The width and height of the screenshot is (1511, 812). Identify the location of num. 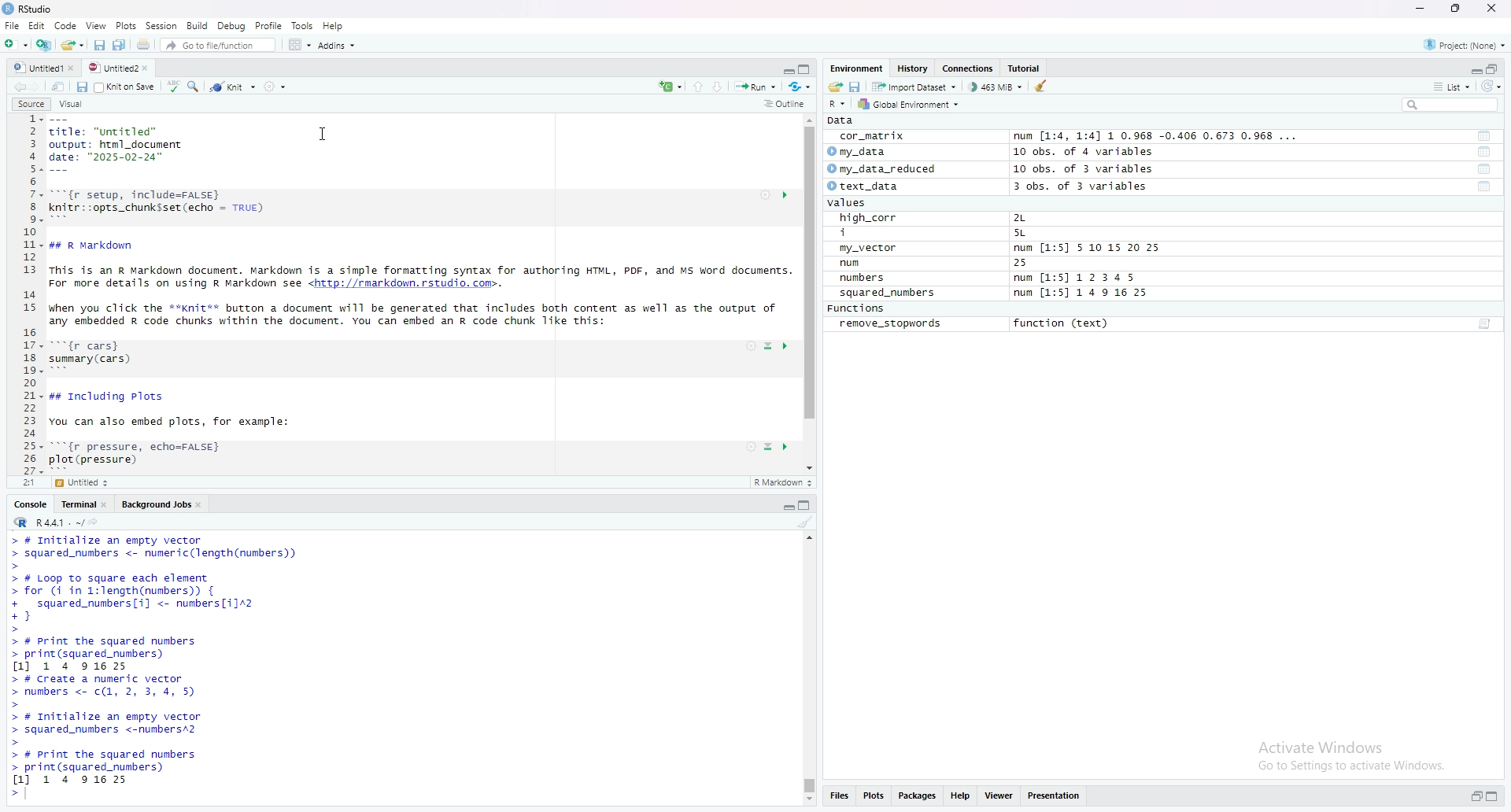
(854, 264).